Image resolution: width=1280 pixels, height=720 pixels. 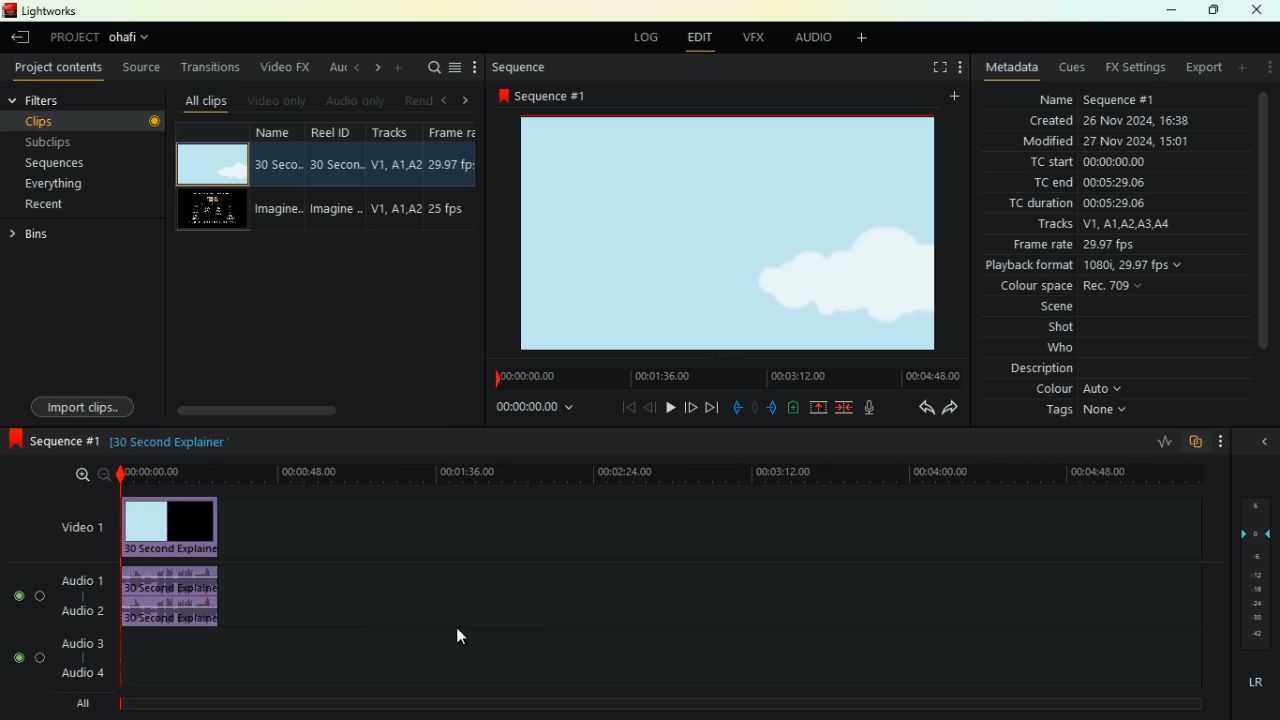 I want to click on video only, so click(x=278, y=100).